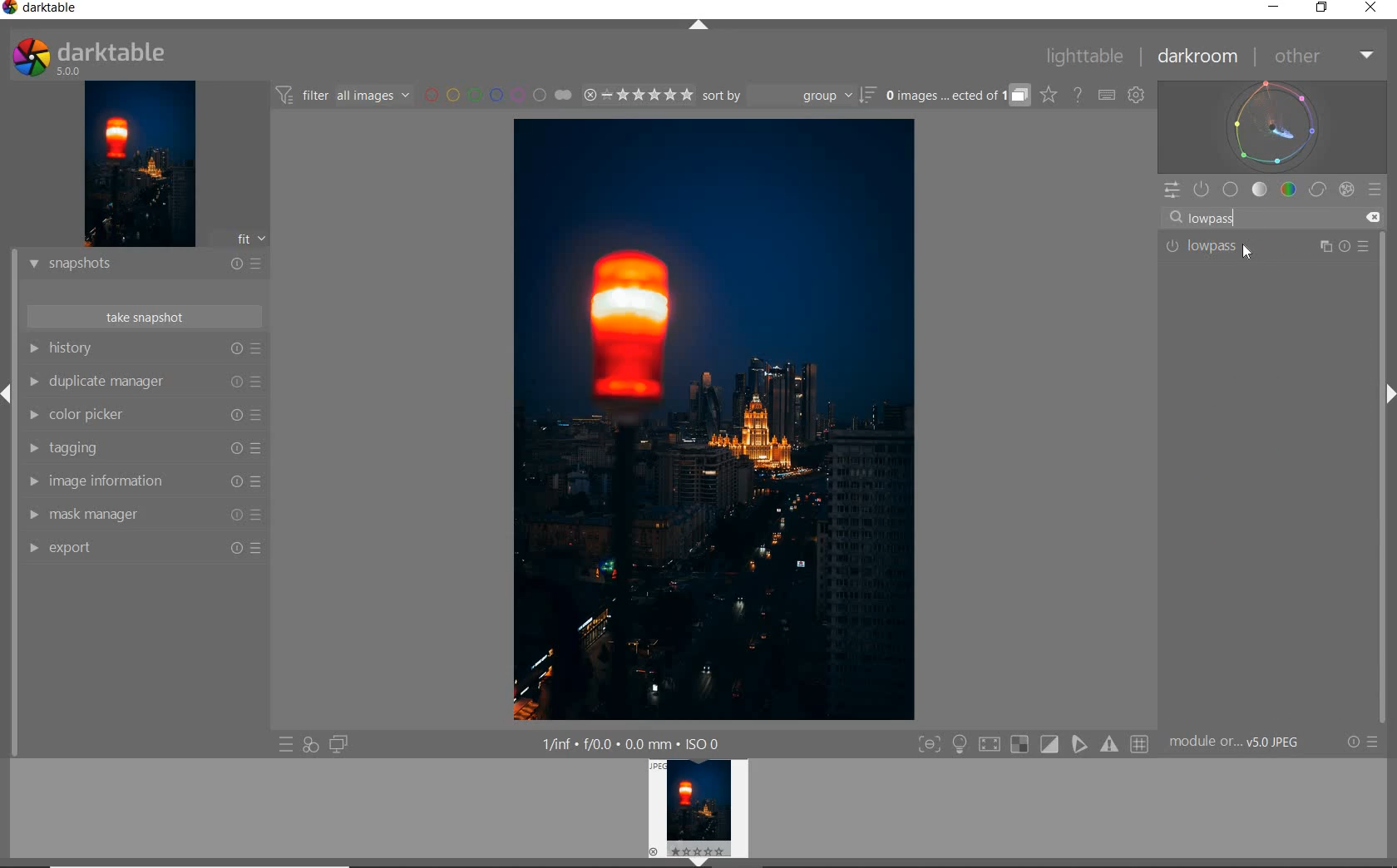 The image size is (1397, 868). Describe the element at coordinates (259, 348) in the screenshot. I see `presets and resets` at that location.